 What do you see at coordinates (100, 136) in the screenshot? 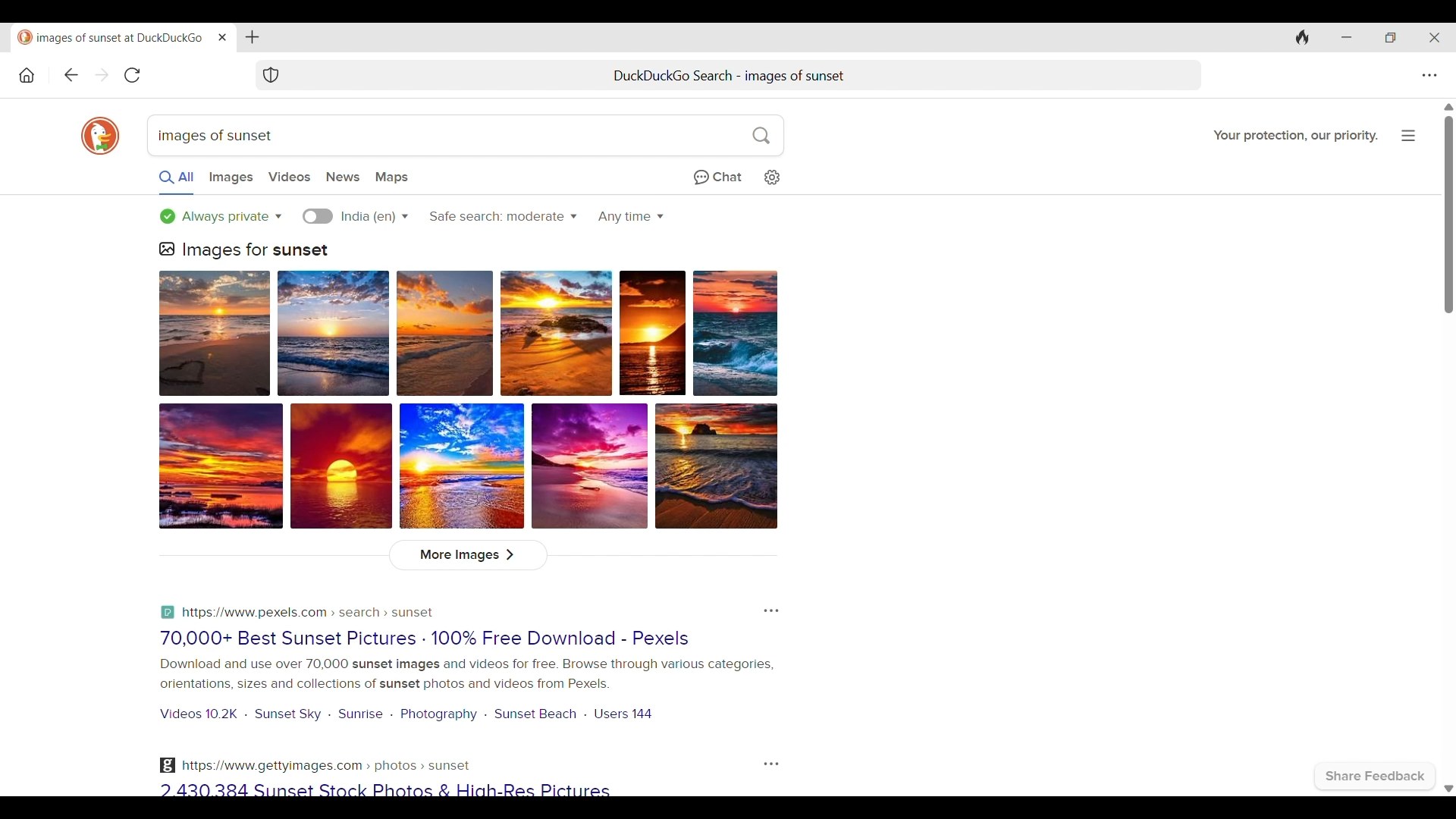
I see `DuckDuckGo logo` at bounding box center [100, 136].